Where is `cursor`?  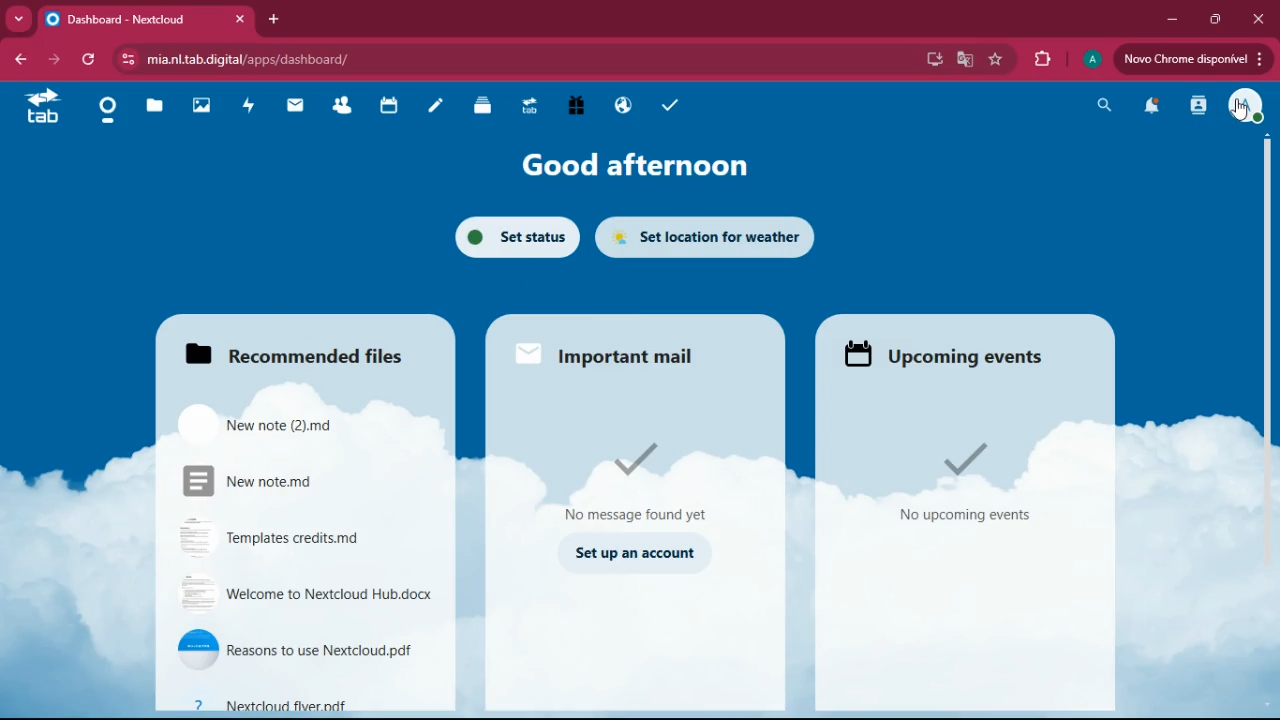 cursor is located at coordinates (1239, 112).